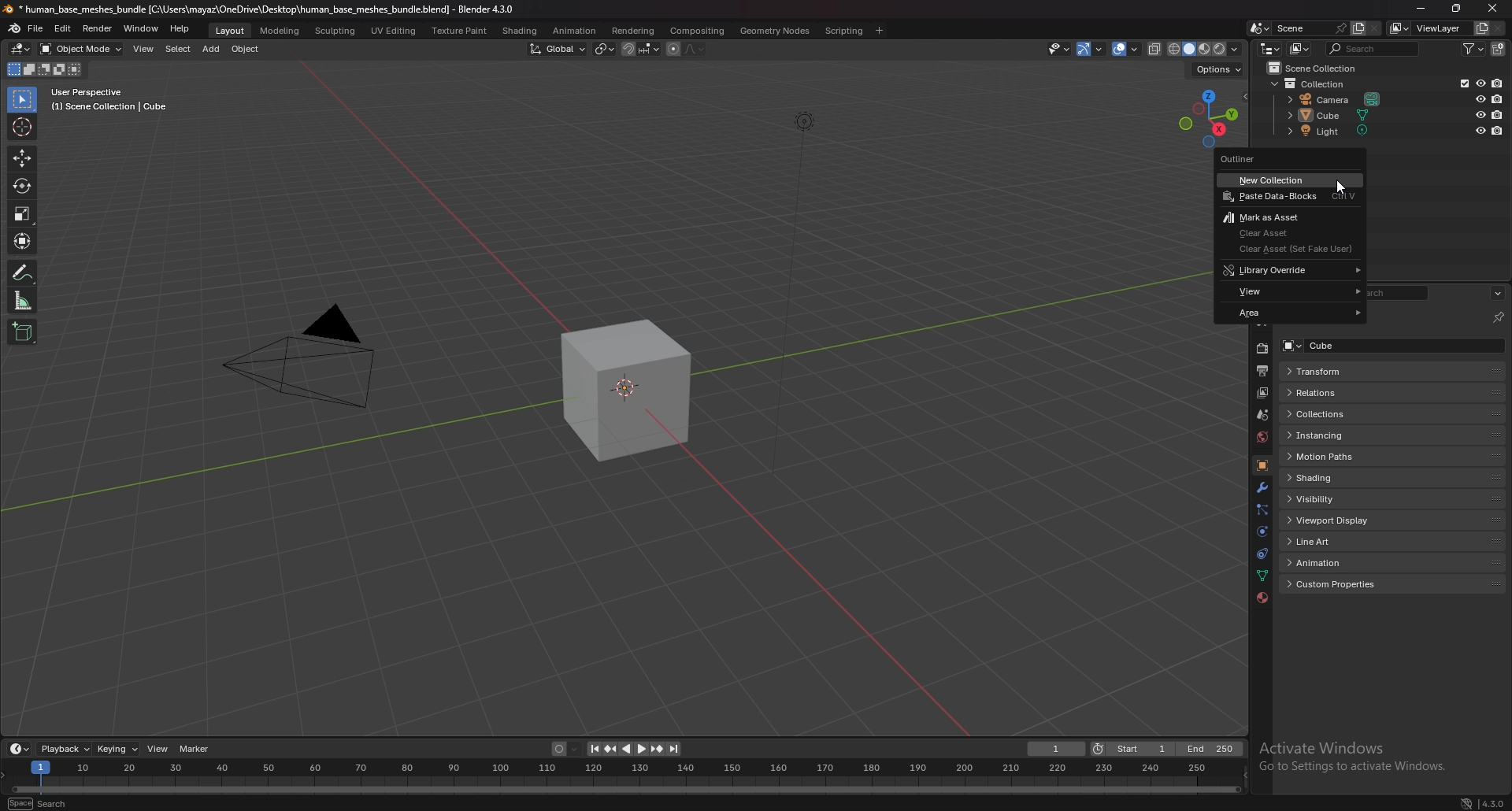 The image size is (1512, 811). Describe the element at coordinates (1286, 217) in the screenshot. I see `mark as asset` at that location.